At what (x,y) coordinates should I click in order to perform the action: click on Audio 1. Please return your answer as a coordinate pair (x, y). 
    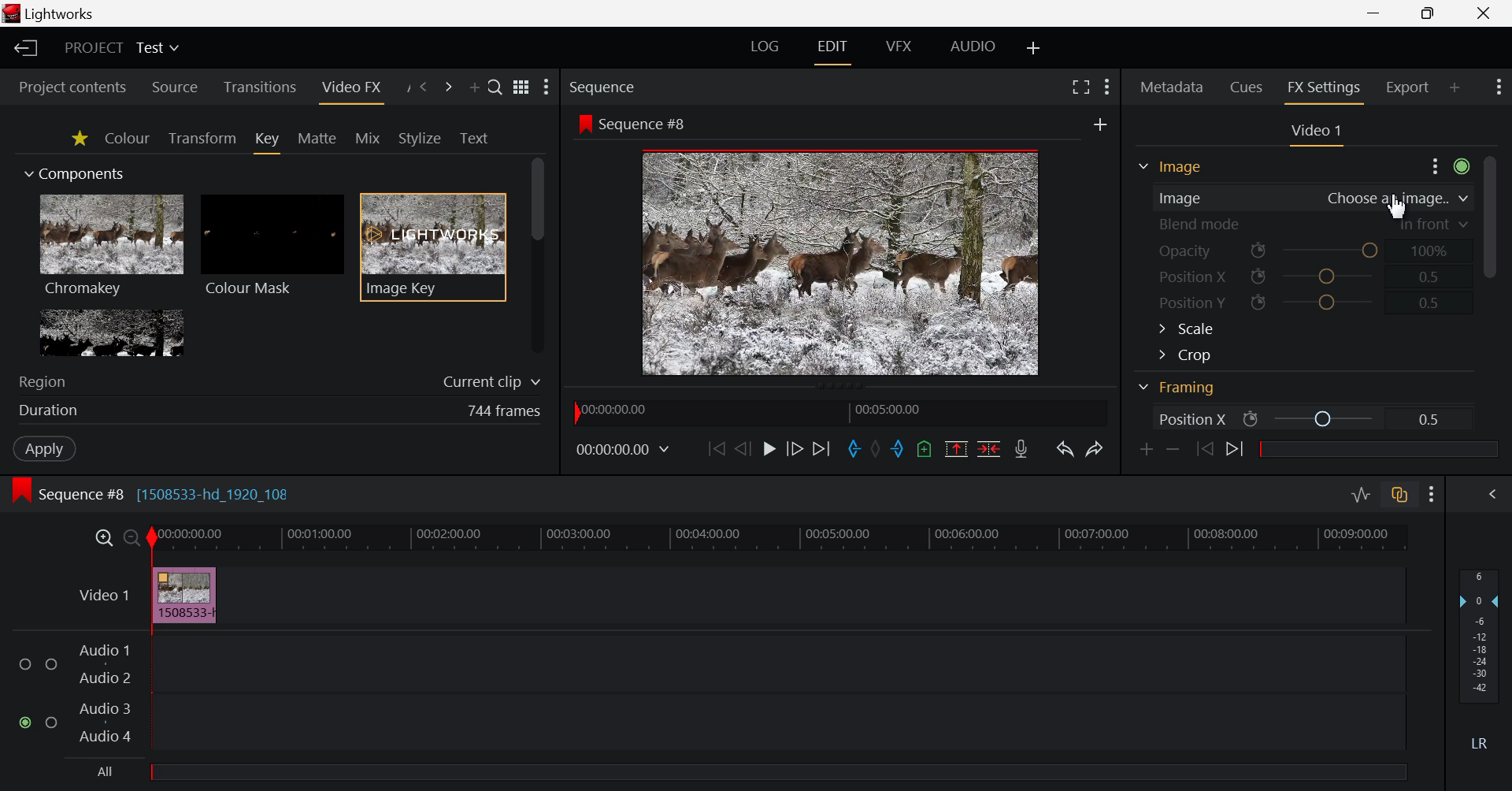
    Looking at the image, I should click on (104, 650).